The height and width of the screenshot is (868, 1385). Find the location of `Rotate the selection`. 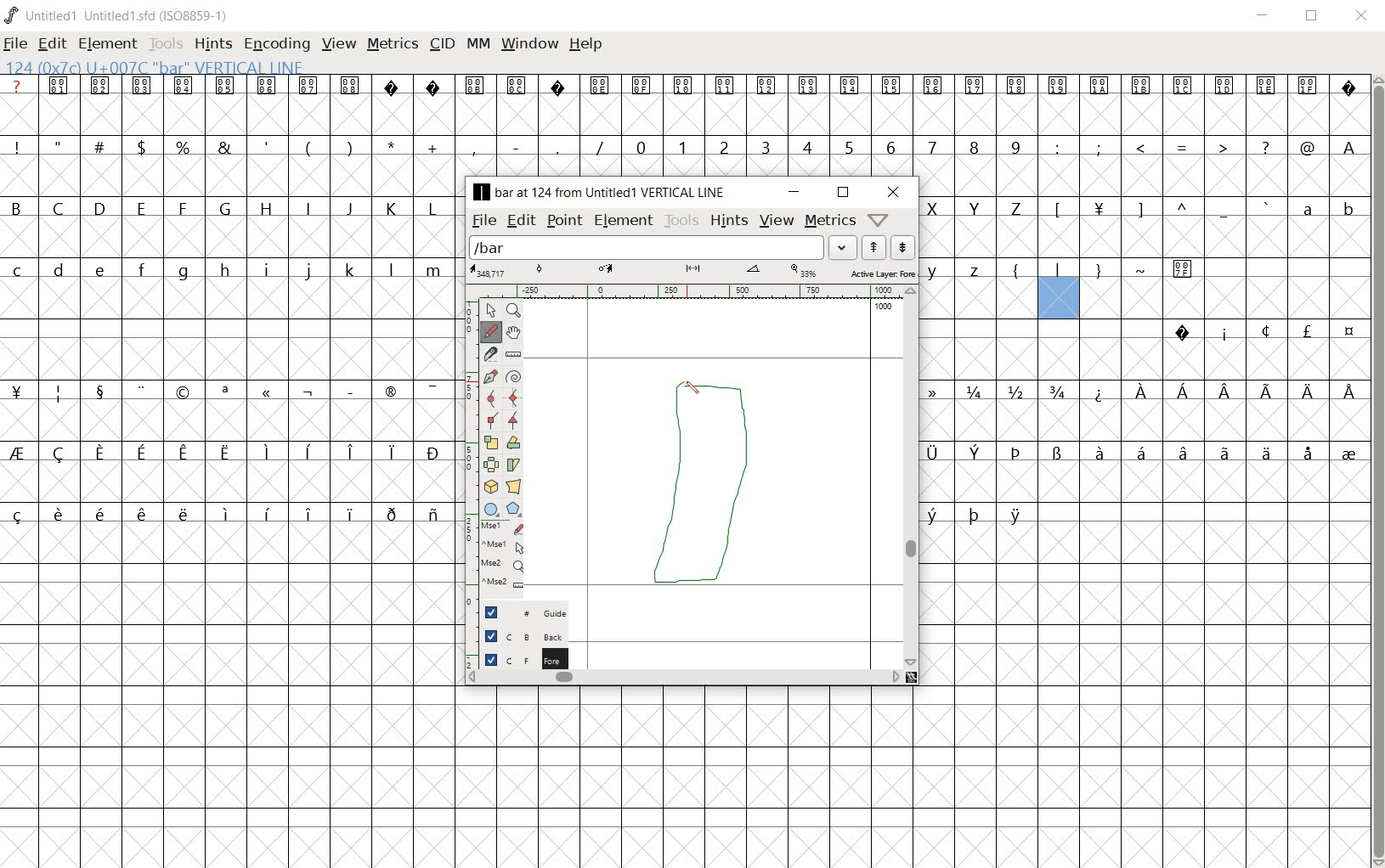

Rotate the selection is located at coordinates (515, 442).